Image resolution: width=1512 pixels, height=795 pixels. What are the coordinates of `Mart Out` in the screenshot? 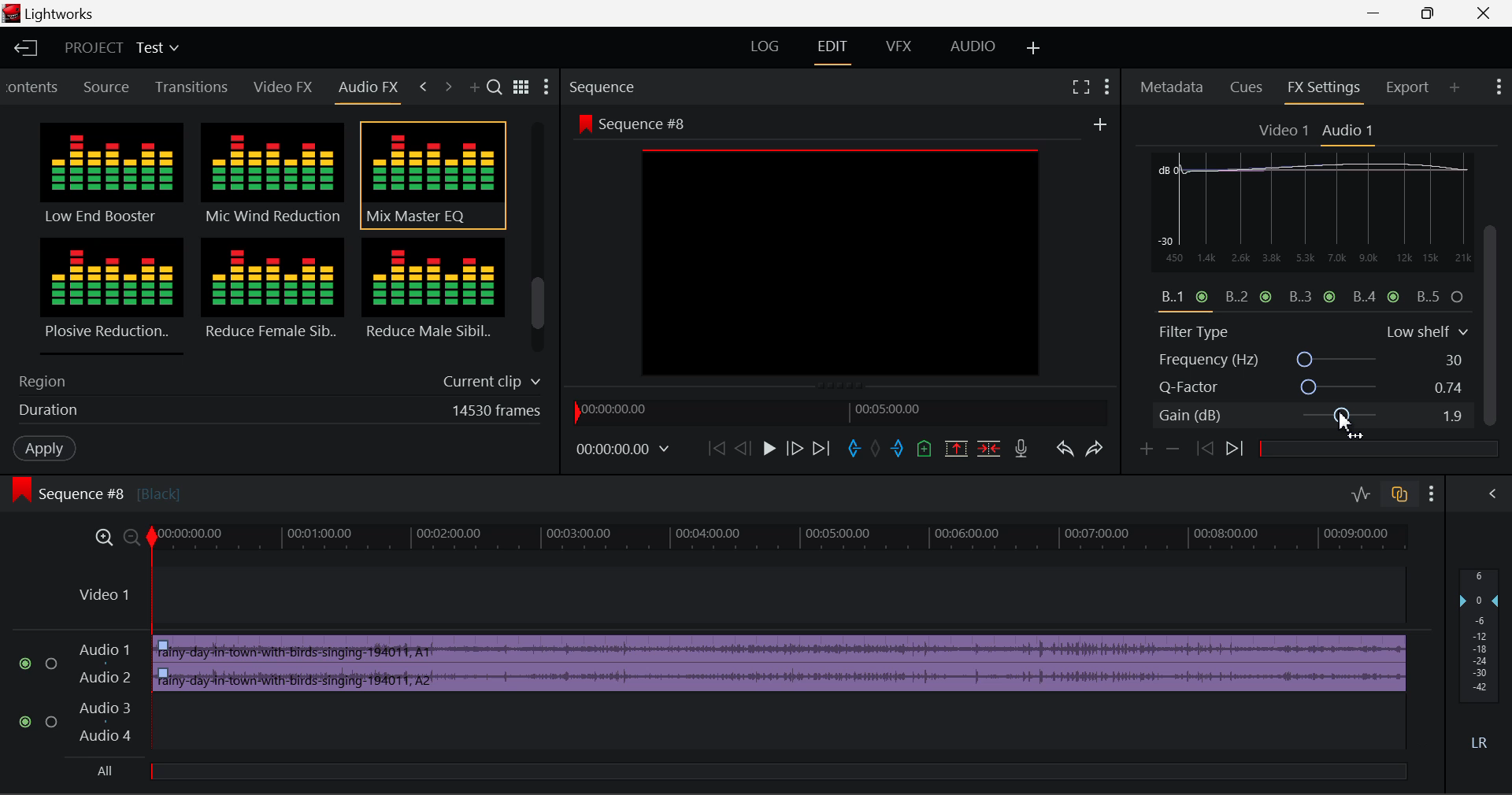 It's located at (899, 449).